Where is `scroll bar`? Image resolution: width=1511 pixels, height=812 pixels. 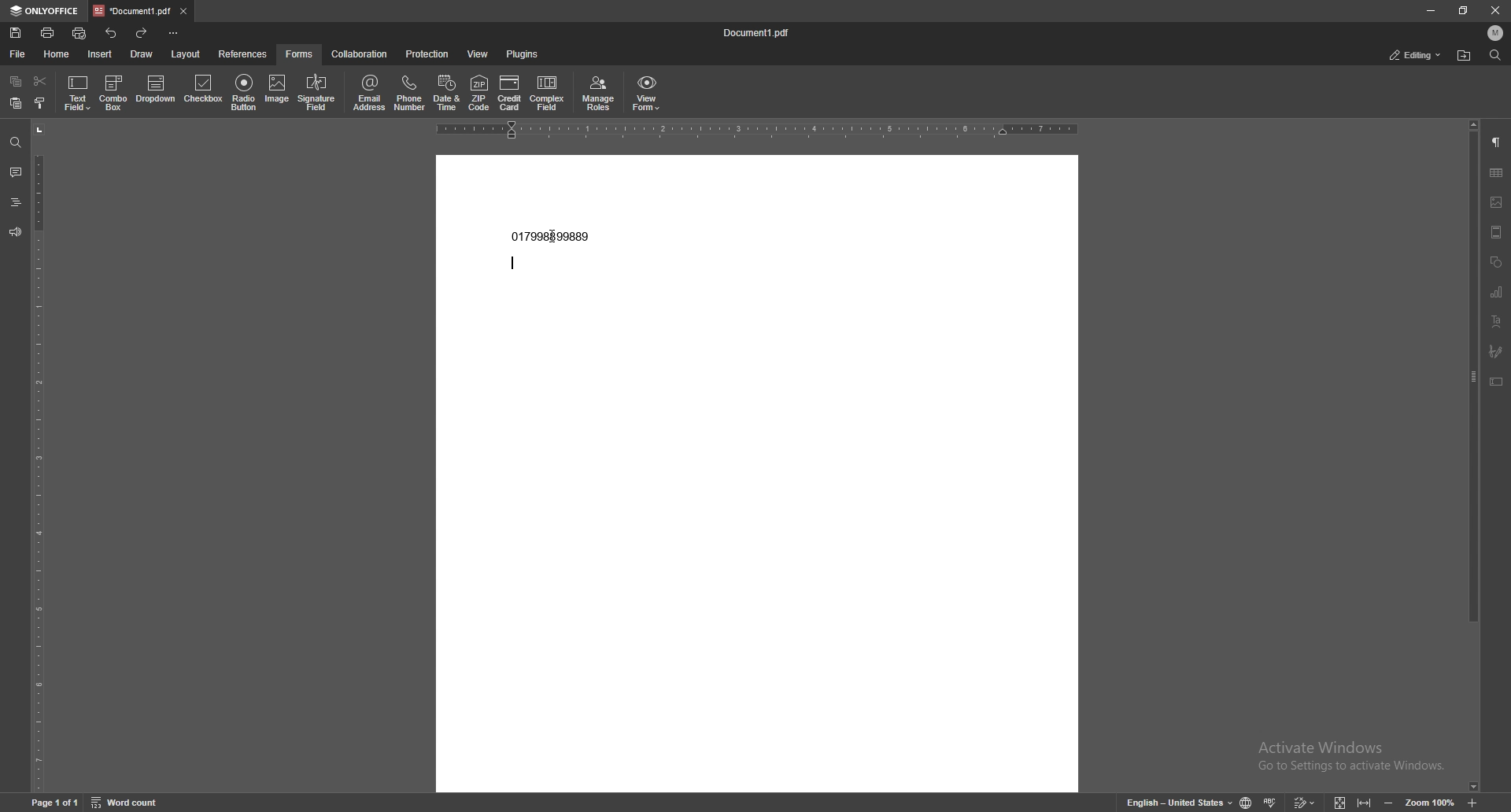
scroll bar is located at coordinates (1472, 457).